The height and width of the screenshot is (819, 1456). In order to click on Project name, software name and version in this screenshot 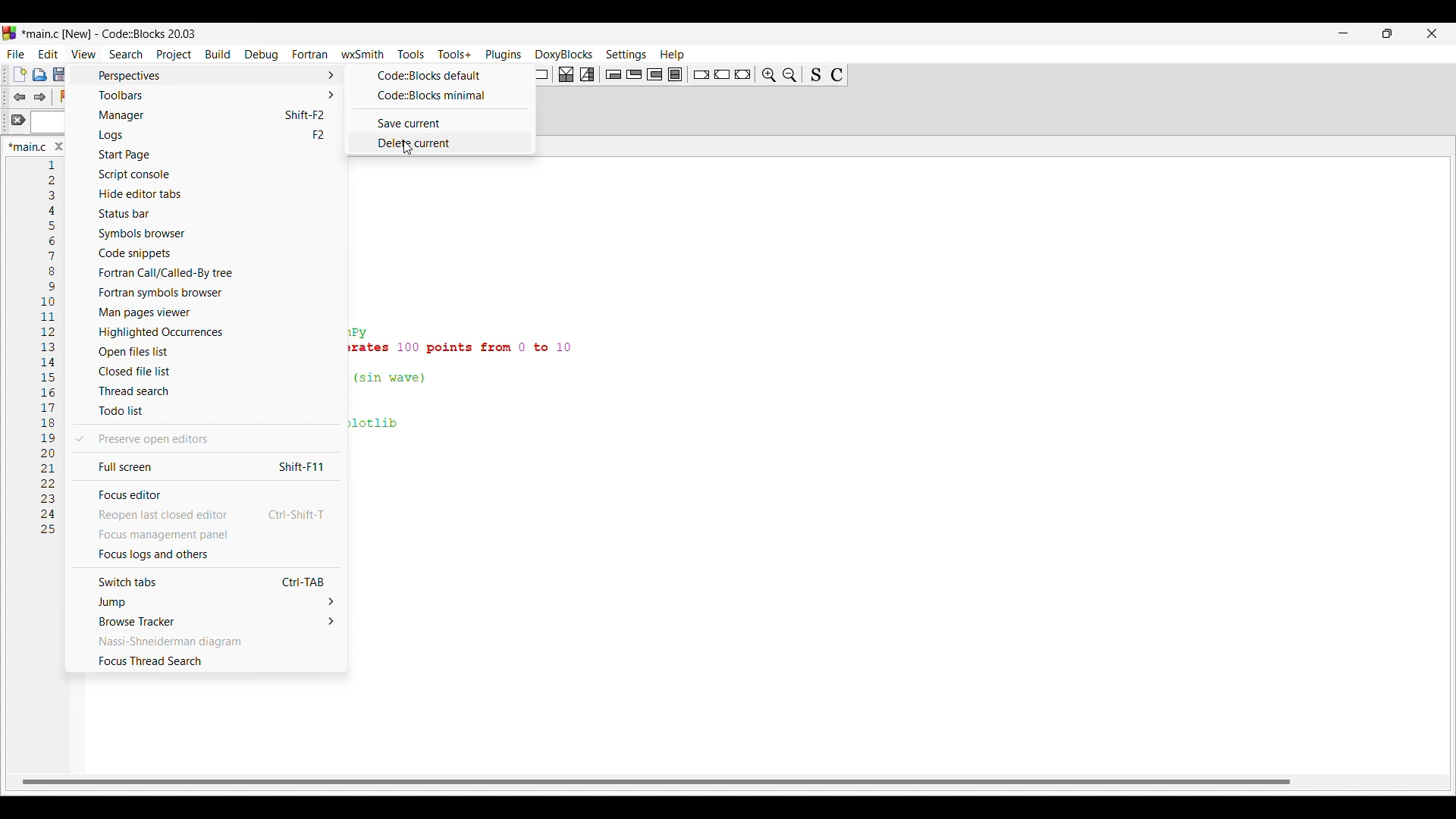, I will do `click(113, 33)`.